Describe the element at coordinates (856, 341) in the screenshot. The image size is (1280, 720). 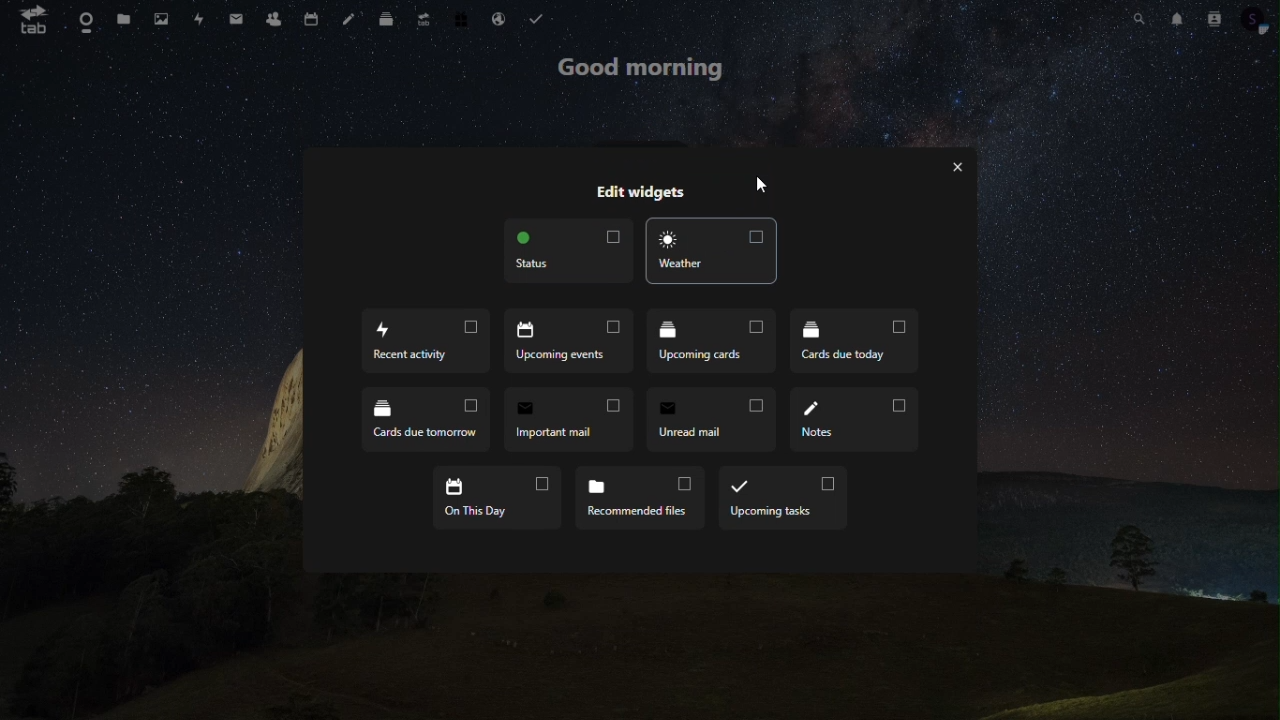
I see `cards due today` at that location.